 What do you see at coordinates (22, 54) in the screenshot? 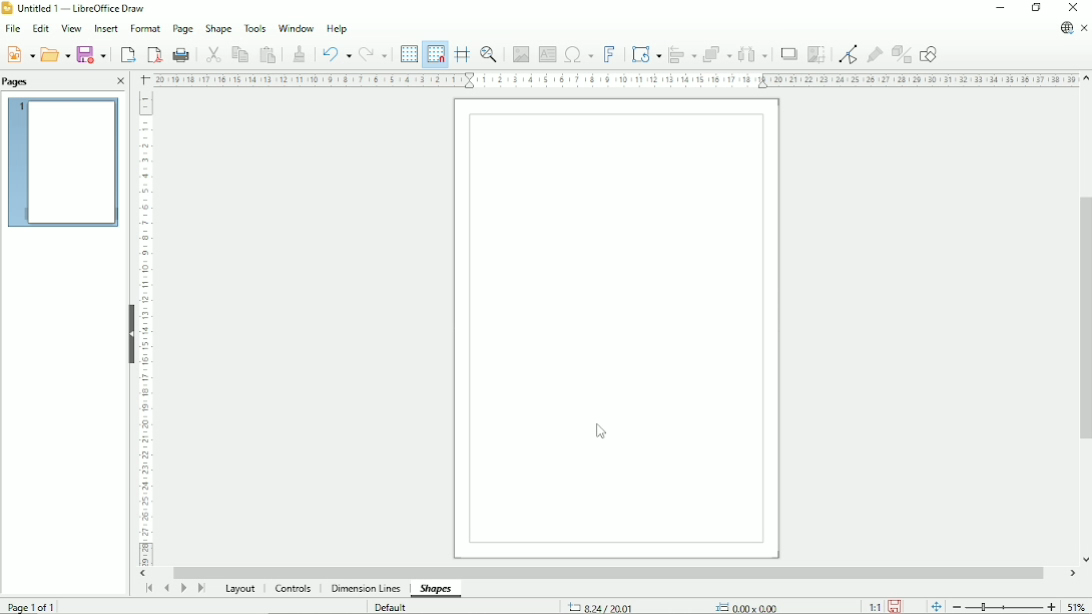
I see `New` at bounding box center [22, 54].